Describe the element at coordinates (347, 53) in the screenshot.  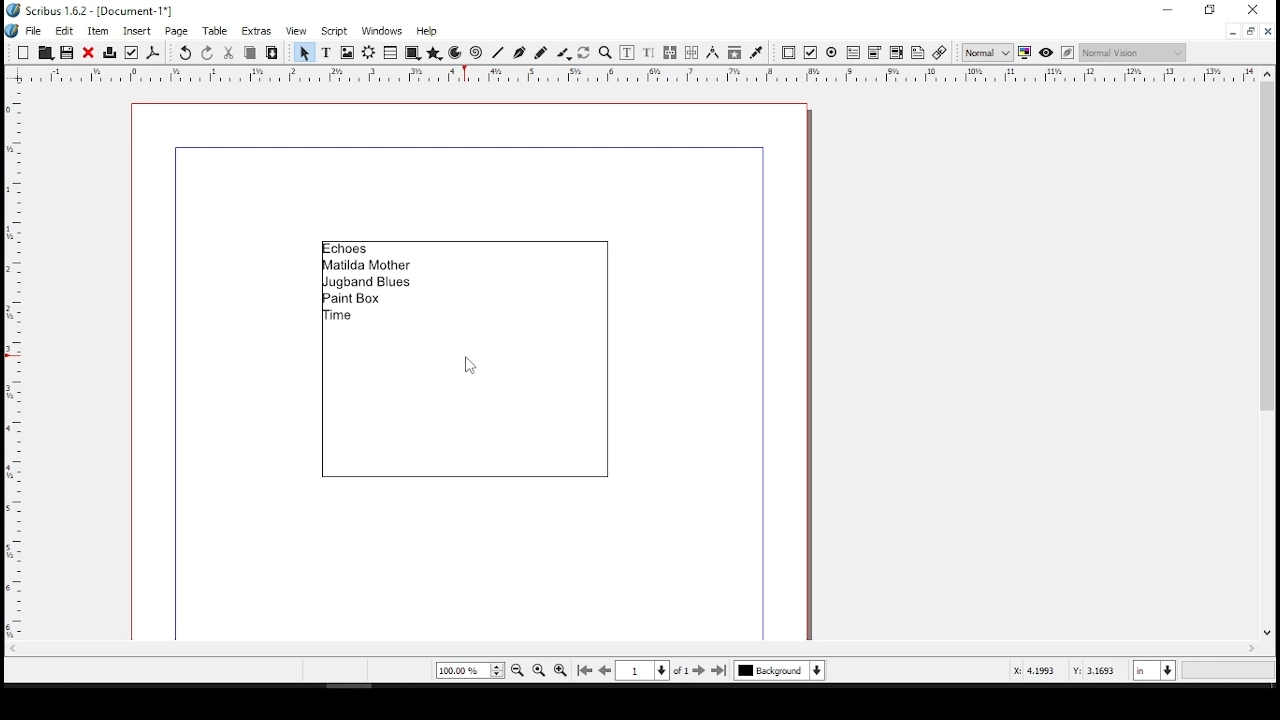
I see `image frame` at that location.